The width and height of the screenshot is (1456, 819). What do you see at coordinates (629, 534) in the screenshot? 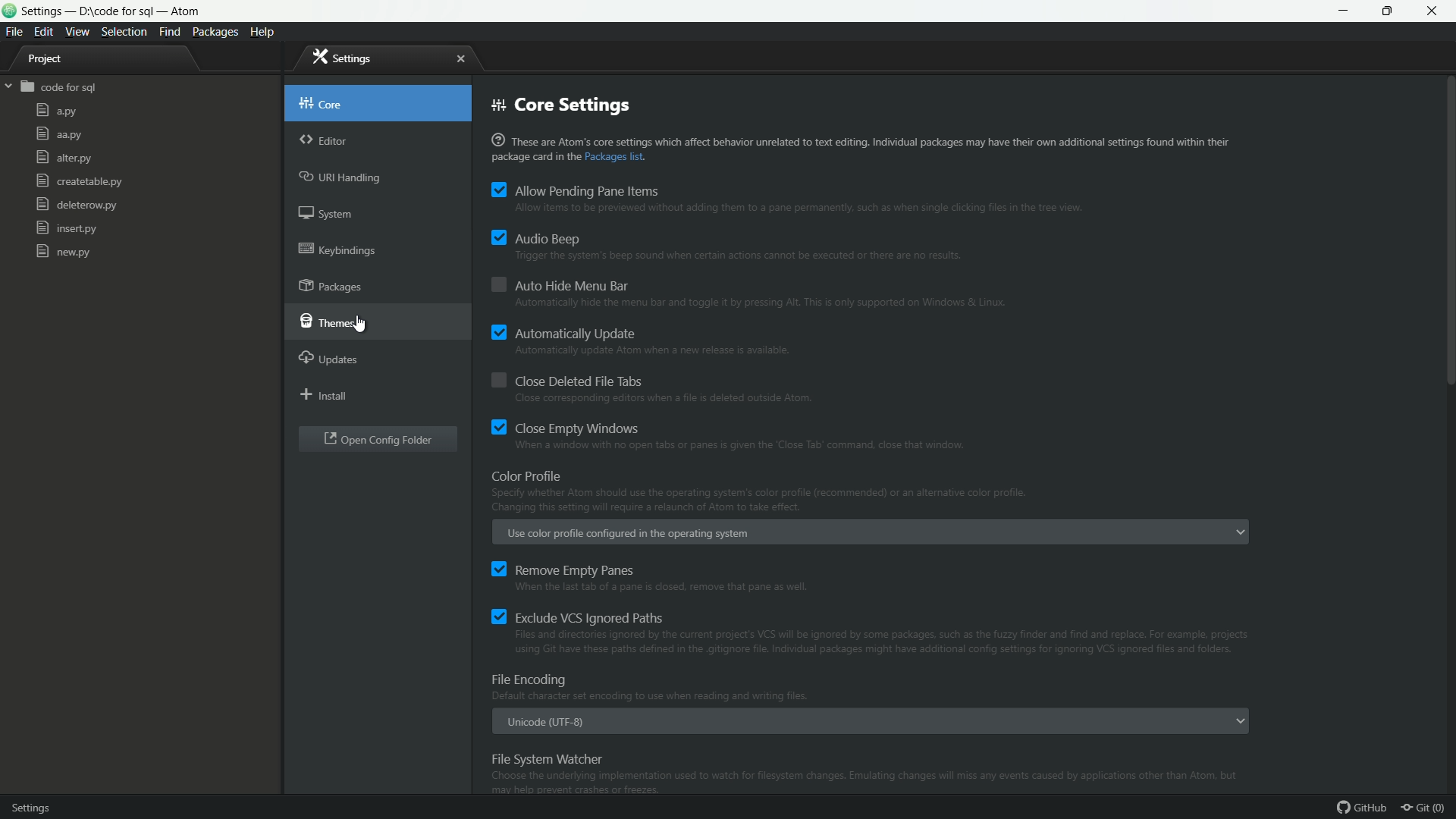
I see `use color profile configured in the operating system` at bounding box center [629, 534].